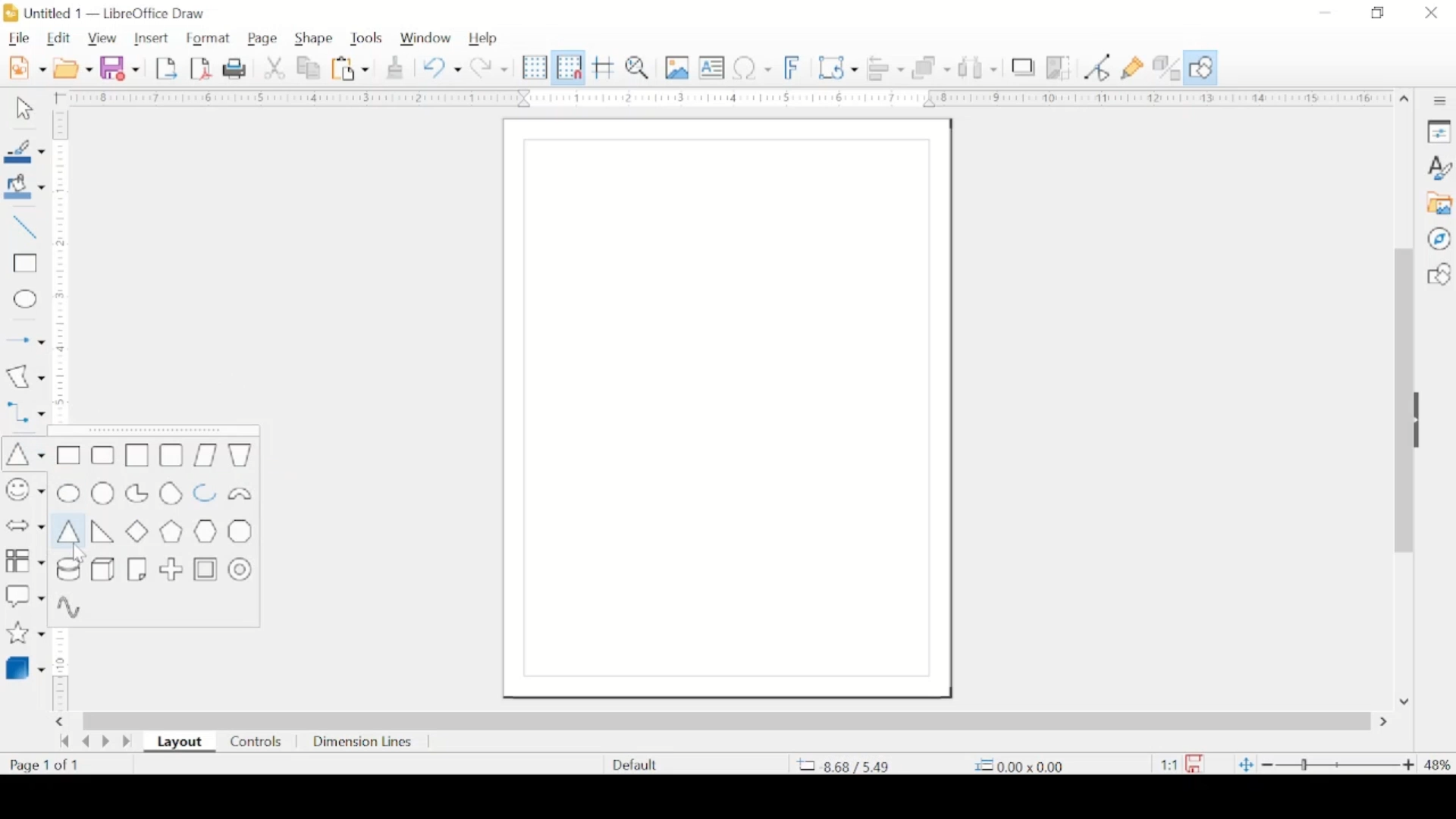 The image size is (1456, 819). What do you see at coordinates (1376, 13) in the screenshot?
I see `restore down` at bounding box center [1376, 13].